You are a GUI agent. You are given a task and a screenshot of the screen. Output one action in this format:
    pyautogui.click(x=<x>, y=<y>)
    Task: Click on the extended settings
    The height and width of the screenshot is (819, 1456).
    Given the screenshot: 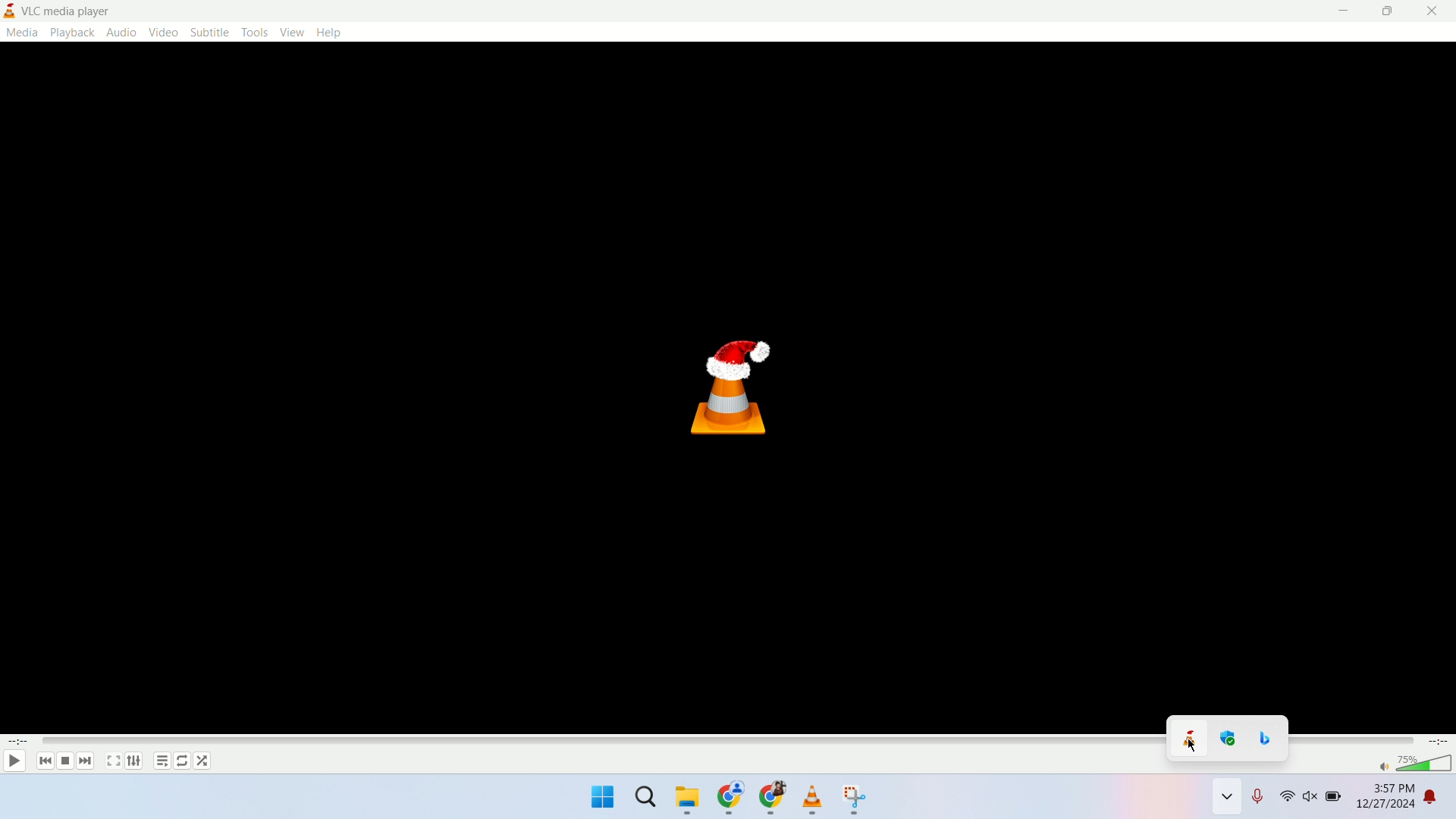 What is the action you would take?
    pyautogui.click(x=133, y=761)
    